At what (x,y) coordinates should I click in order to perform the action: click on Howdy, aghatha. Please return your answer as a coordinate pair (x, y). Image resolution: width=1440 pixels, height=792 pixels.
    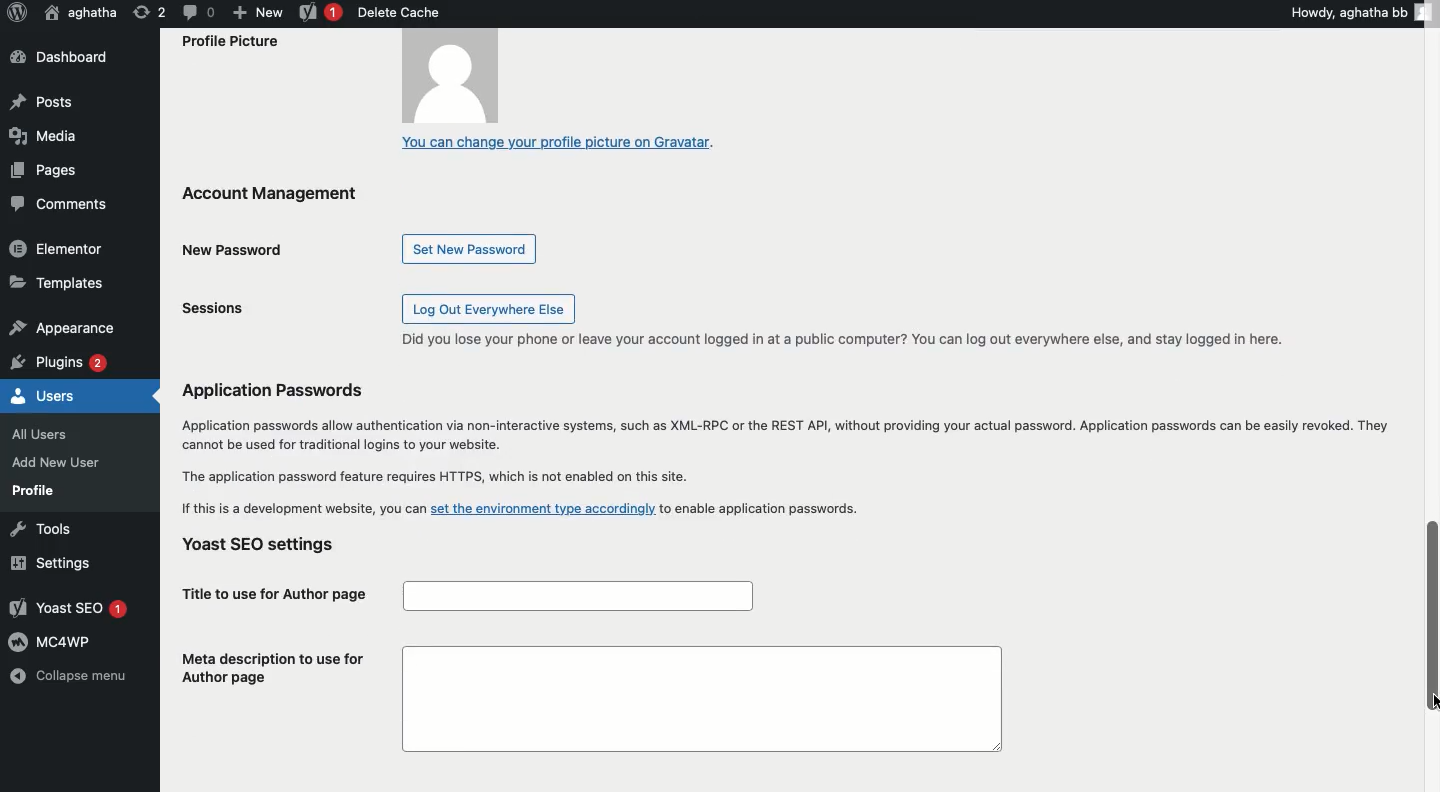
    Looking at the image, I should click on (1364, 12).